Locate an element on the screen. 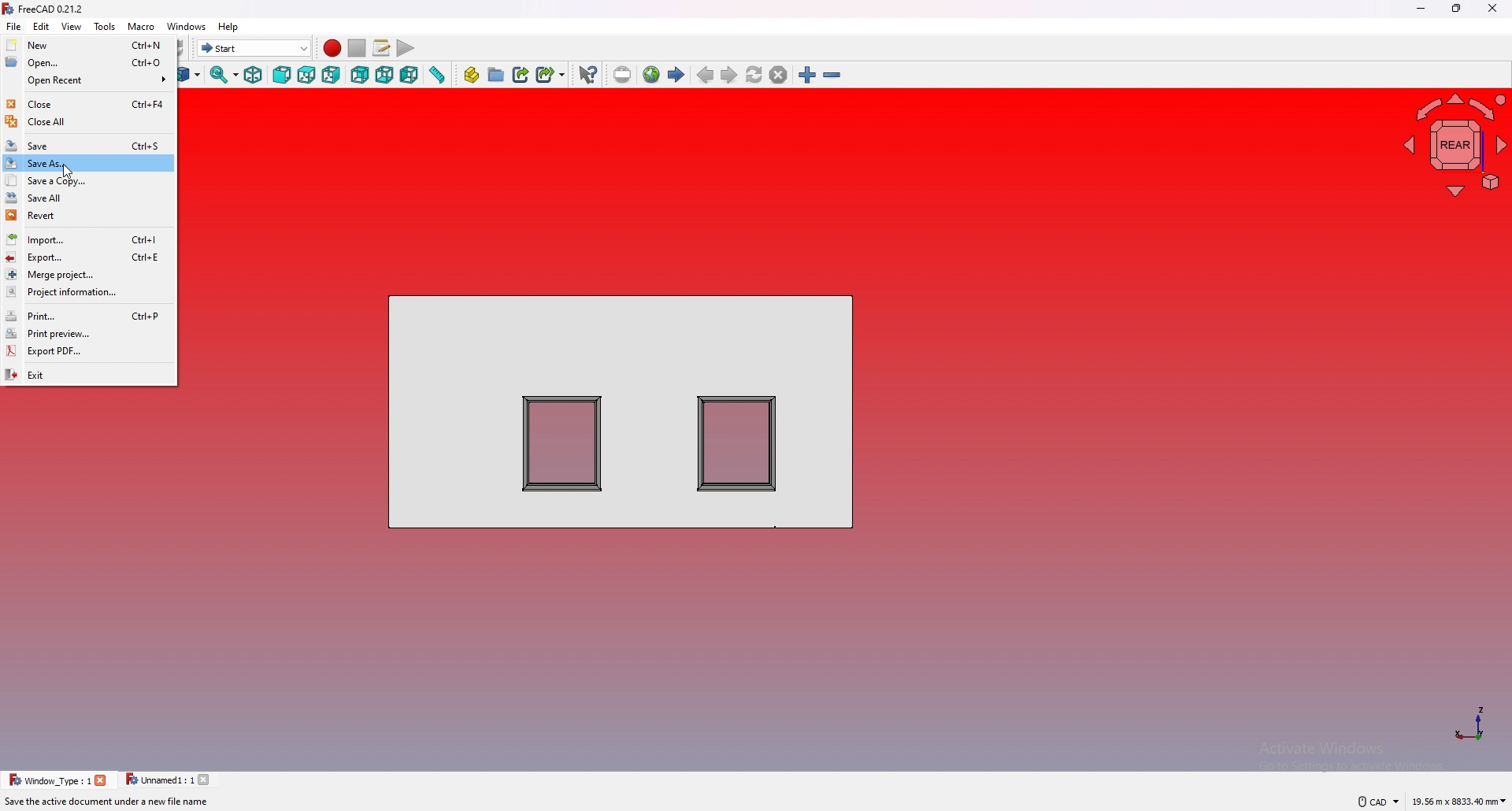  right is located at coordinates (332, 75).